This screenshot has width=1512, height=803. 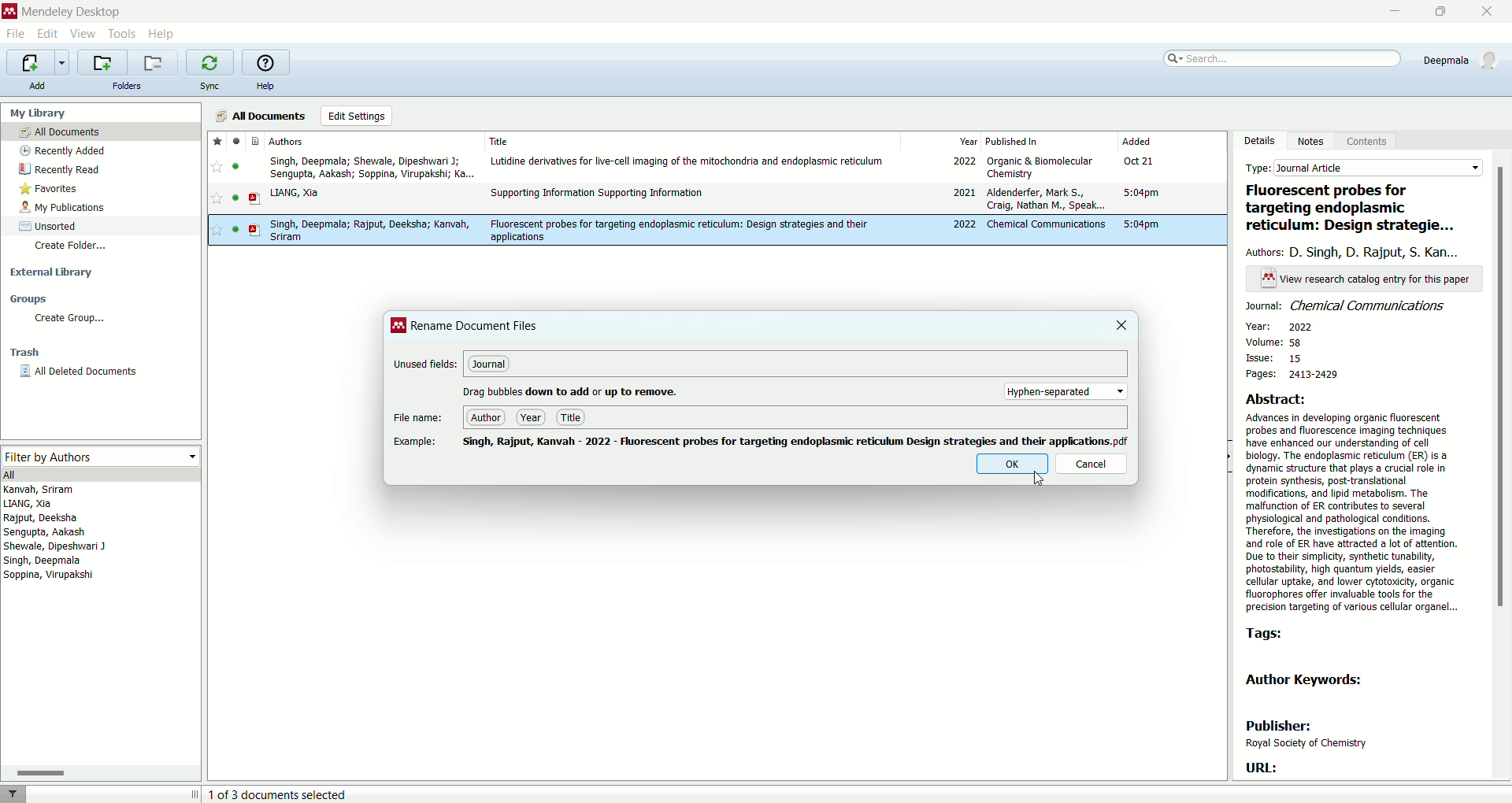 I want to click on groups, so click(x=28, y=301).